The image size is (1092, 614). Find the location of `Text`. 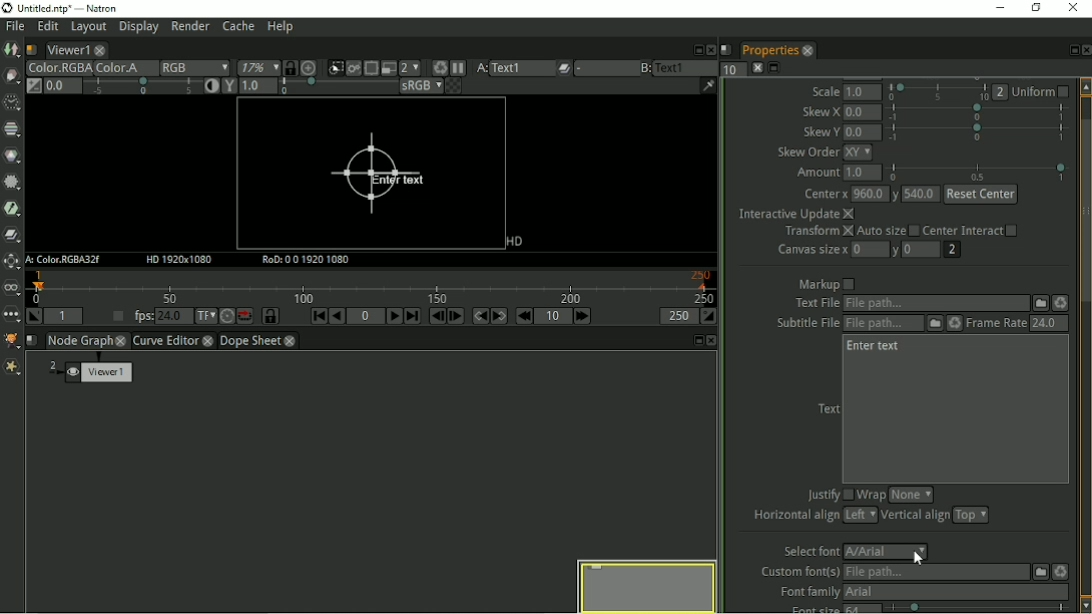

Text is located at coordinates (829, 407).